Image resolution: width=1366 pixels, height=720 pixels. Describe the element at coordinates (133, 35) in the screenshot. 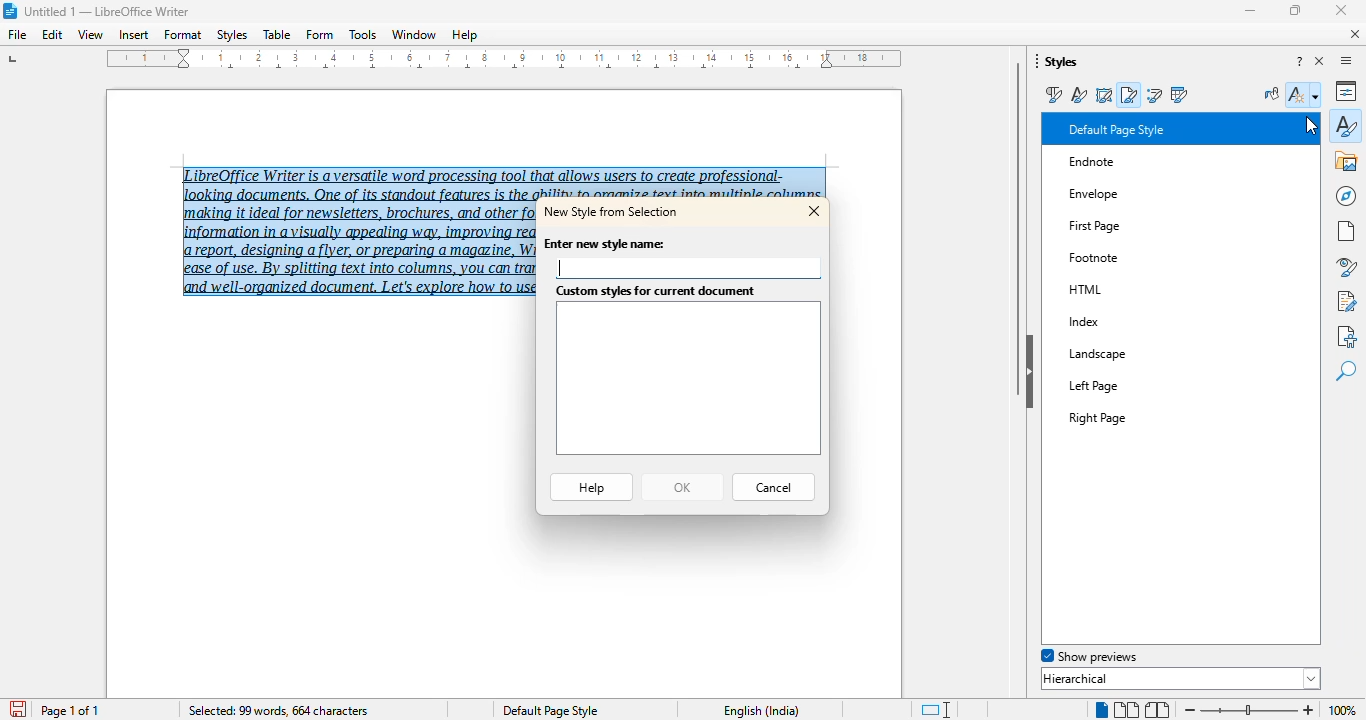

I see `insert` at that location.